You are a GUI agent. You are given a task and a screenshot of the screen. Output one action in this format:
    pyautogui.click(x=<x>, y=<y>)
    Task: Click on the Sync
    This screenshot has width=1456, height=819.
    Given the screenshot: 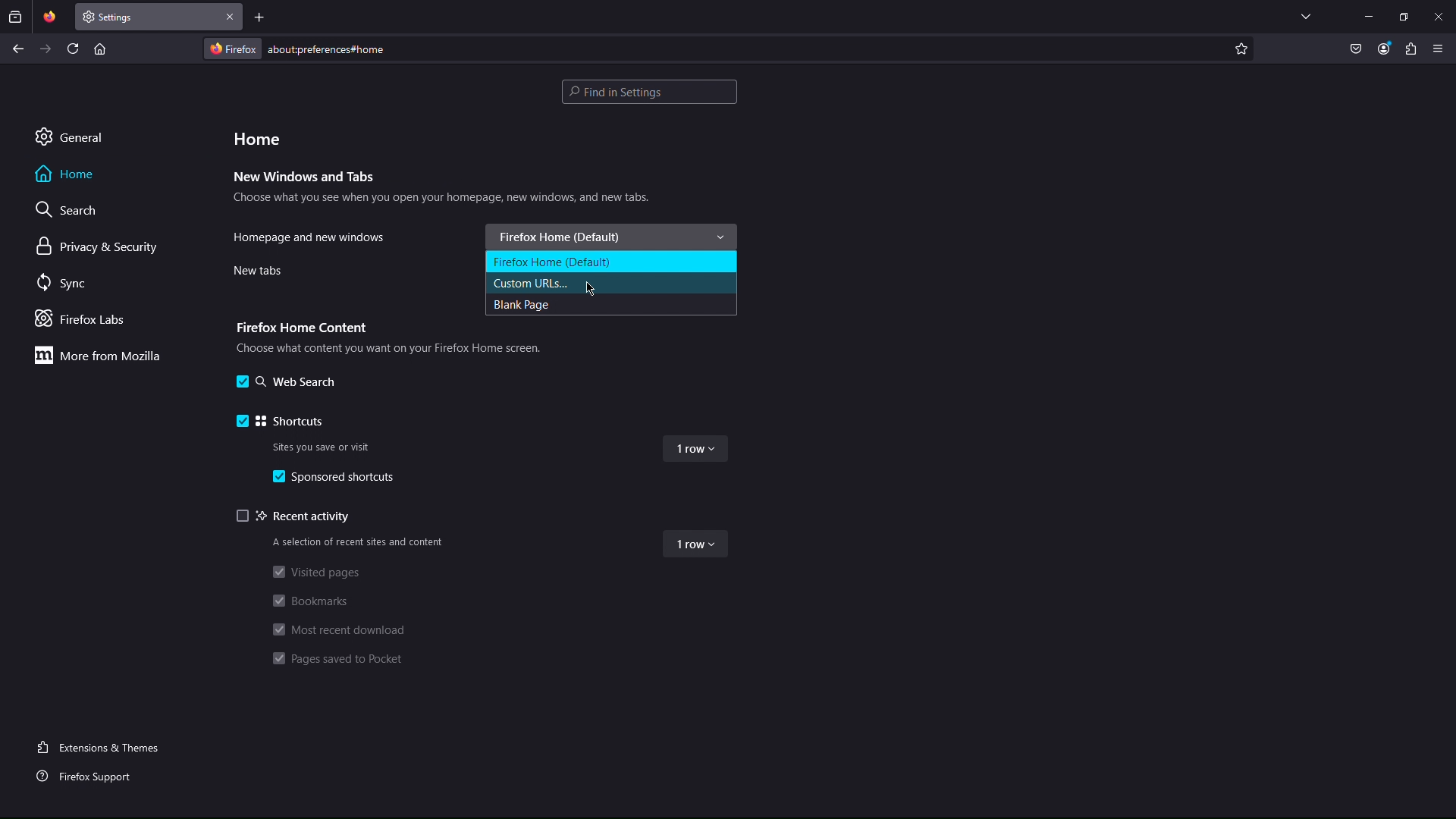 What is the action you would take?
    pyautogui.click(x=65, y=284)
    